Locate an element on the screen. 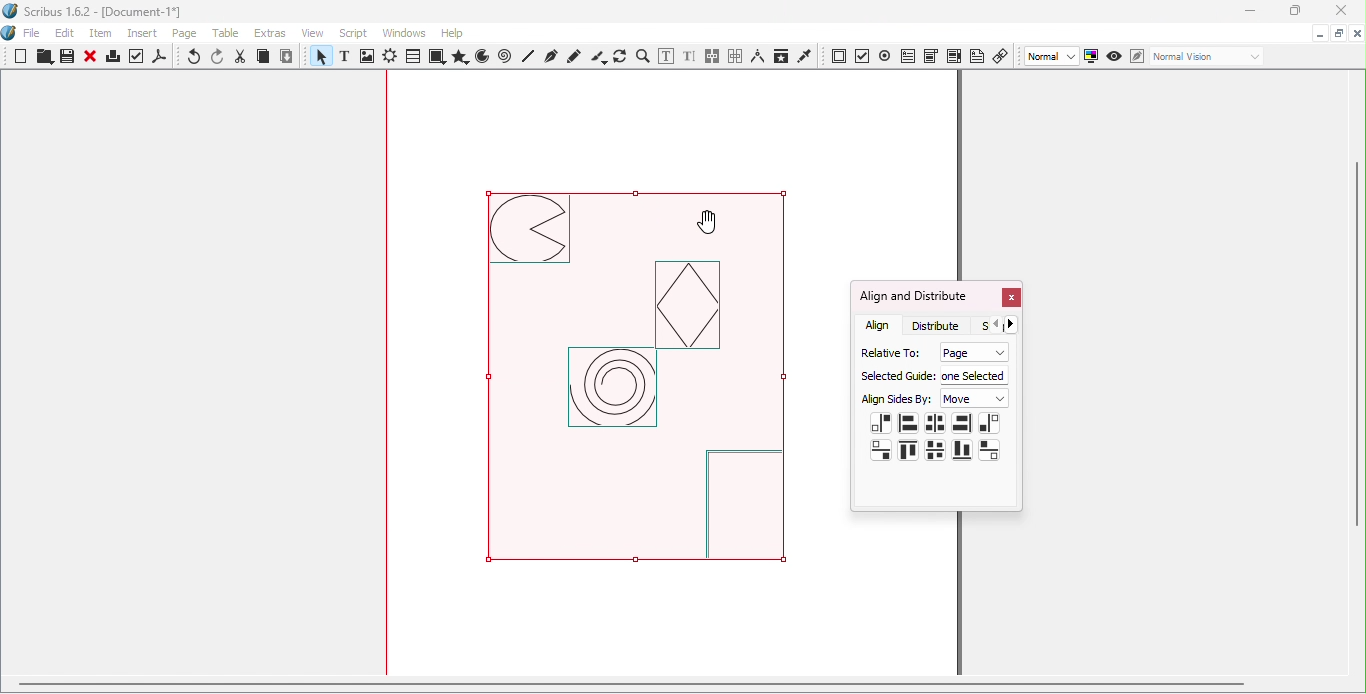 Image resolution: width=1366 pixels, height=694 pixels. Image frame is located at coordinates (369, 58).